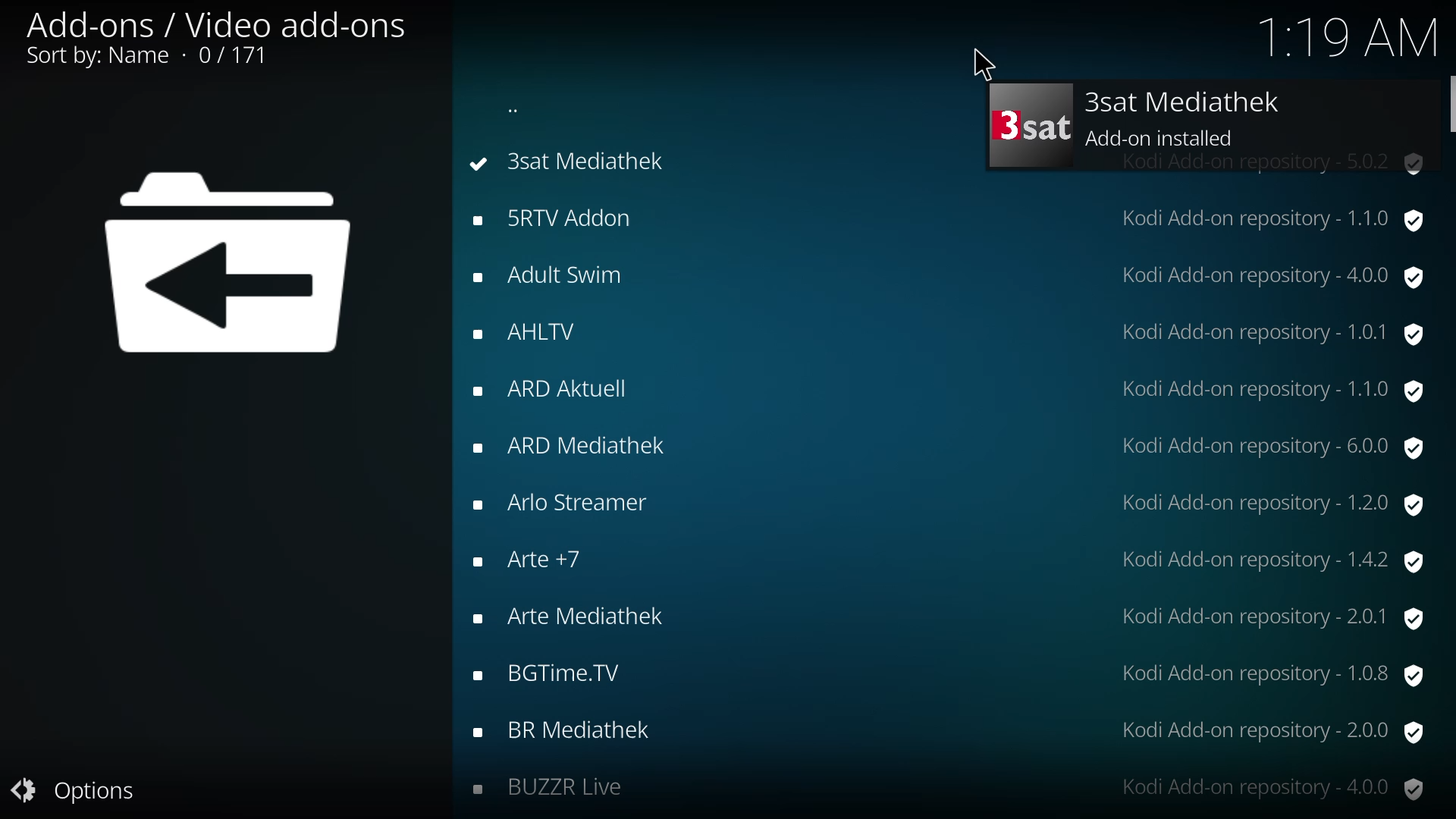 This screenshot has height=819, width=1456. Describe the element at coordinates (1269, 617) in the screenshot. I see `version` at that location.